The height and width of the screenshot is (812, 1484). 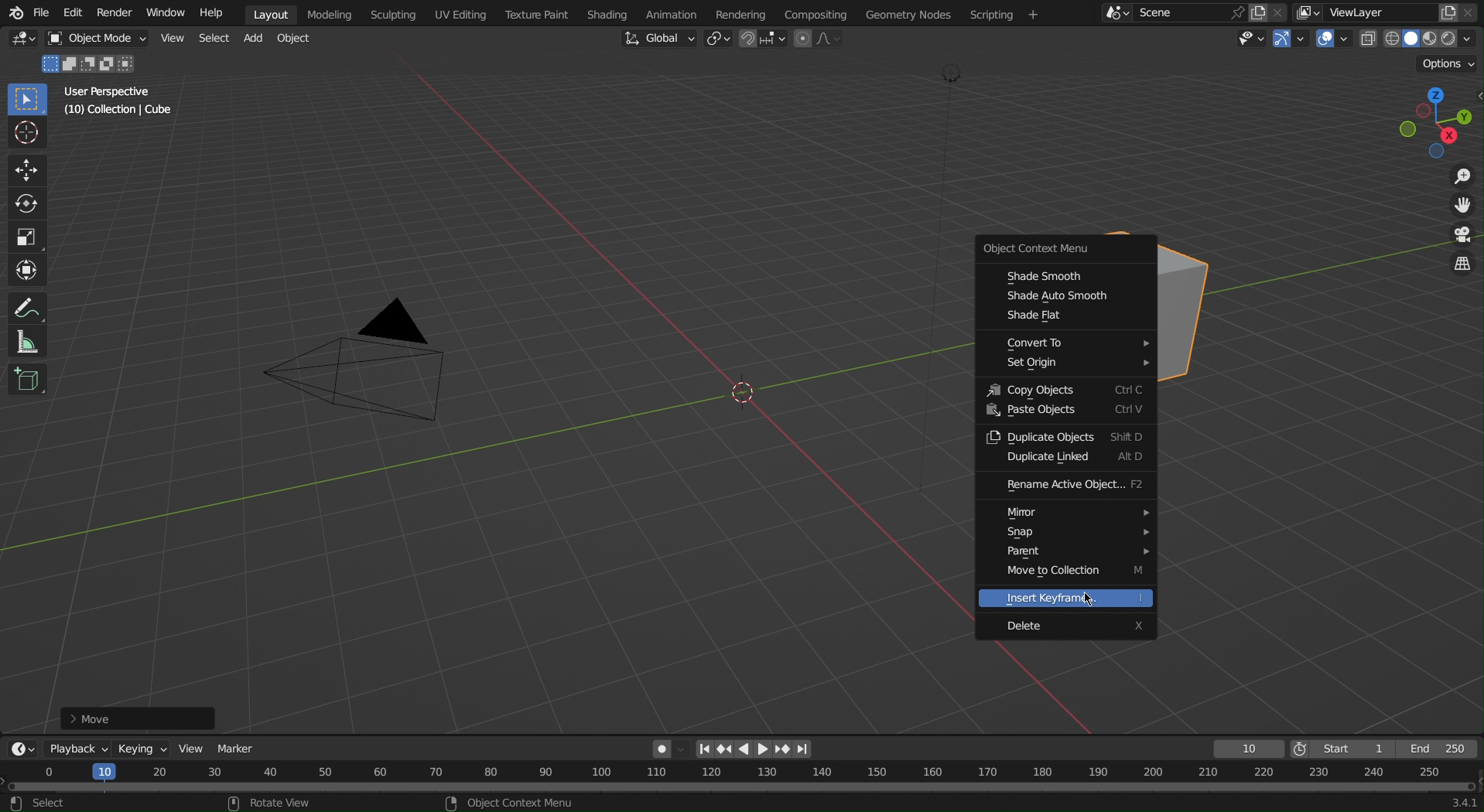 I want to click on Editor Type, so click(x=20, y=749).